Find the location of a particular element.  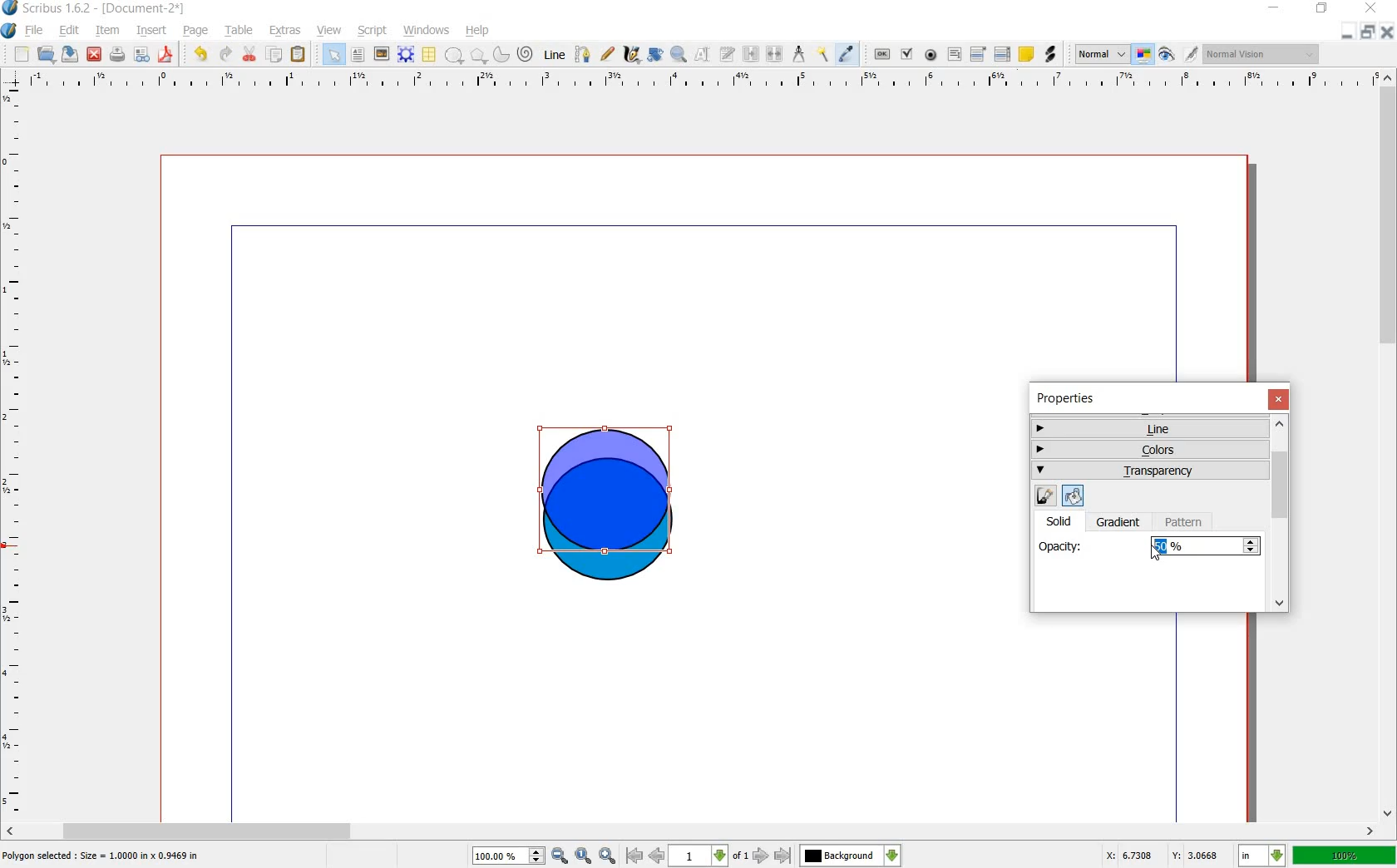

line is located at coordinates (1148, 428).